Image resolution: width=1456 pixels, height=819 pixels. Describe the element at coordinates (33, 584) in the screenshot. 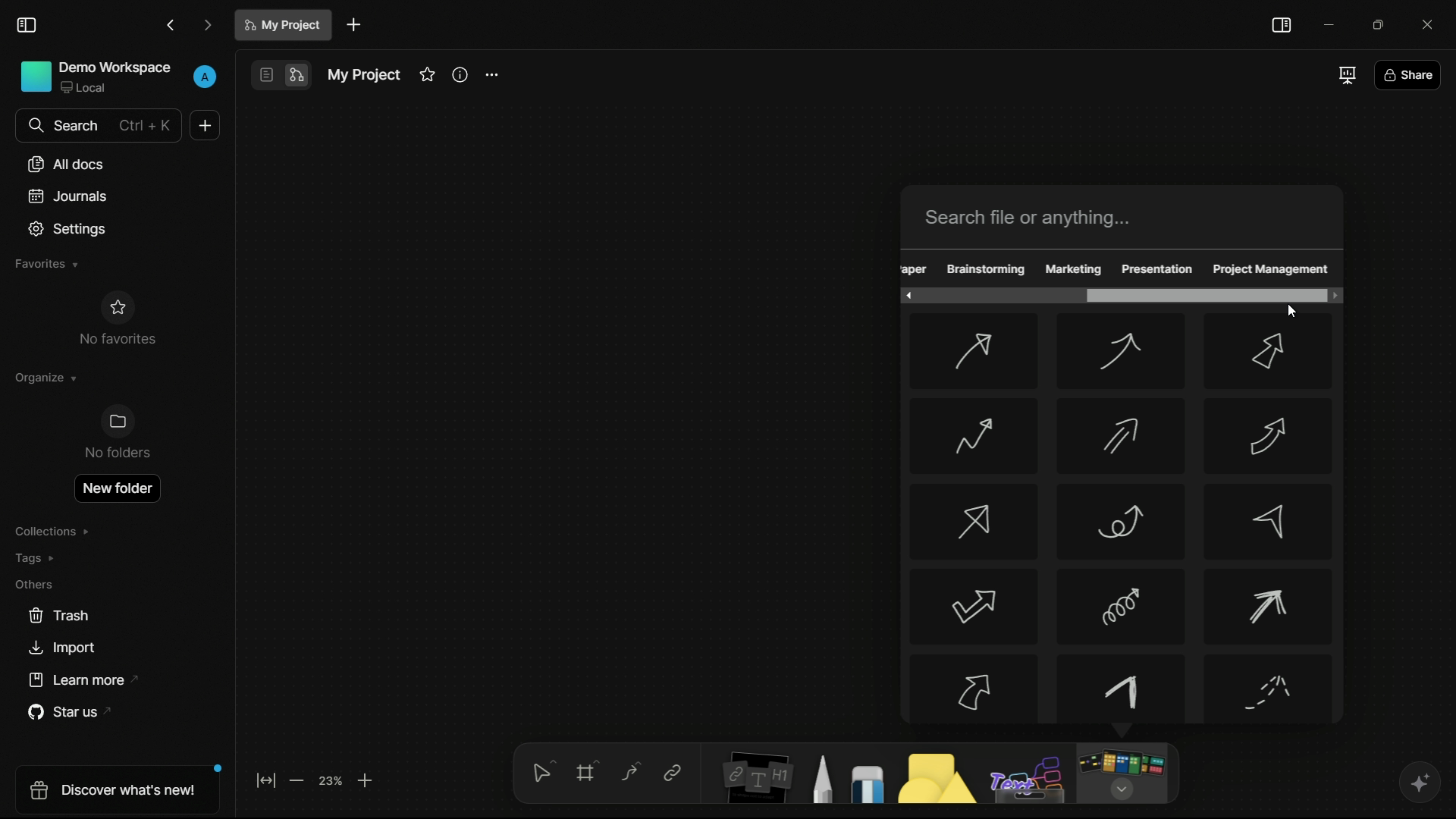

I see `others` at that location.